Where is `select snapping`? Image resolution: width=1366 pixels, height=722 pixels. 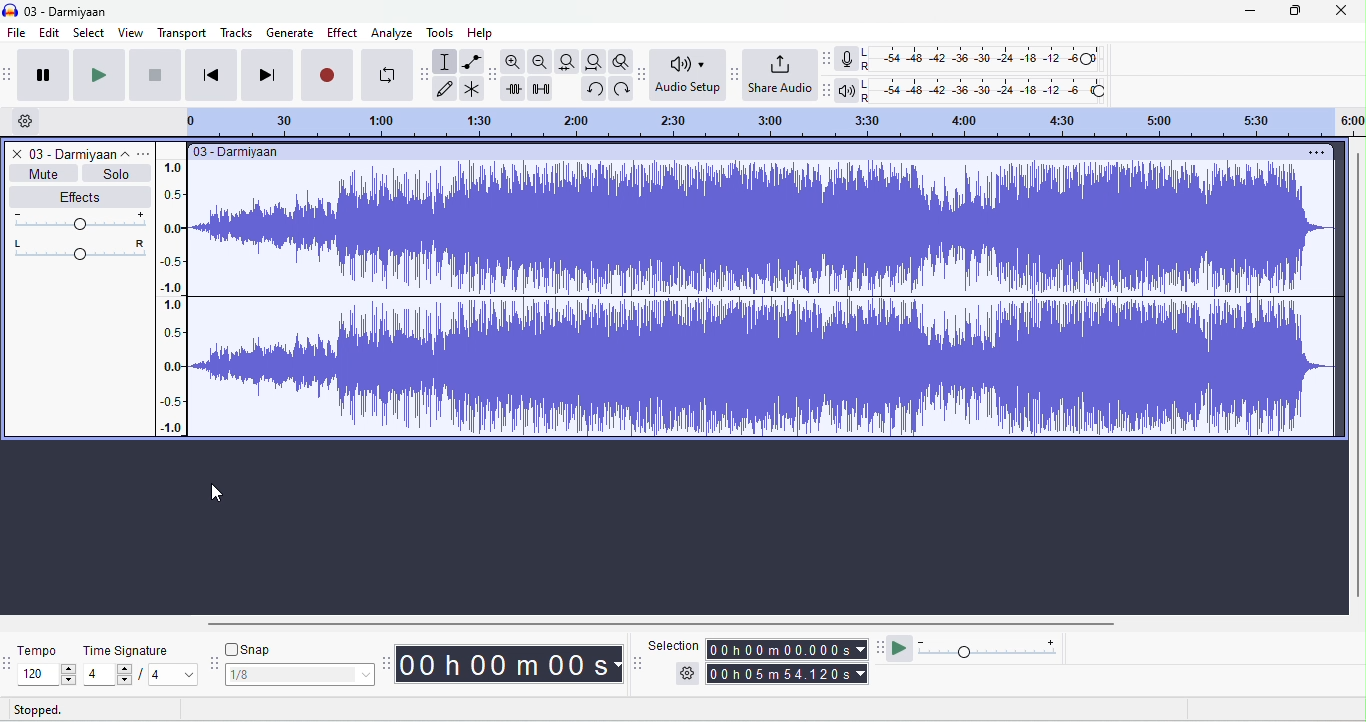 select snapping is located at coordinates (301, 674).